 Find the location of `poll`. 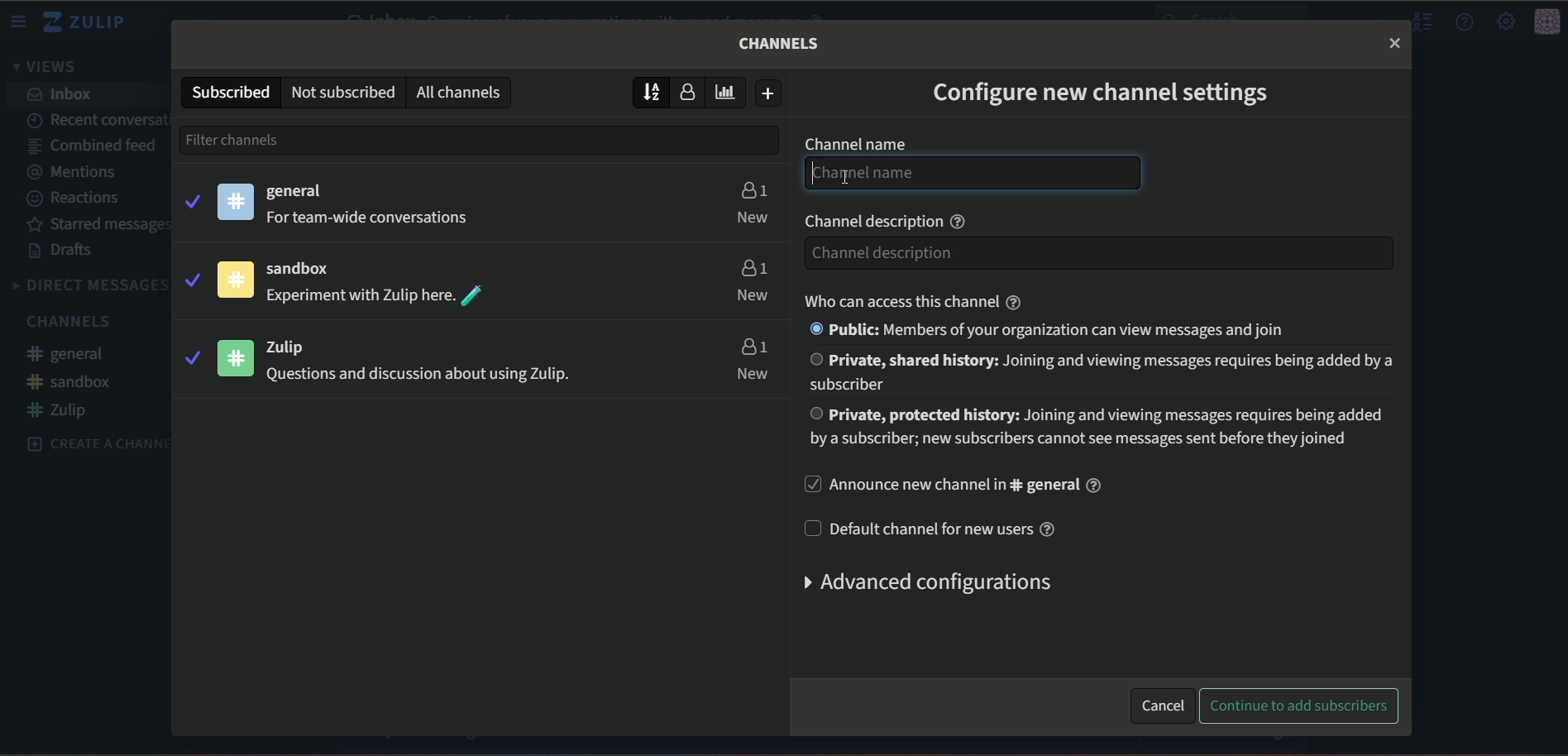

poll is located at coordinates (730, 92).